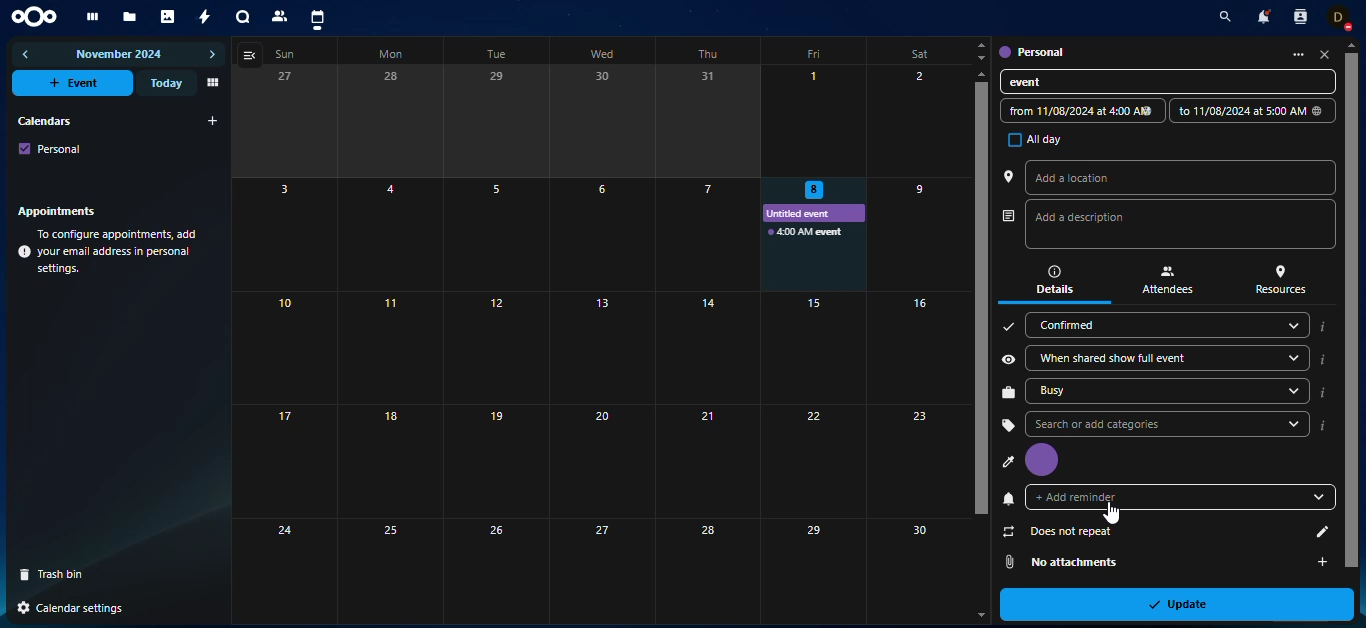 Image resolution: width=1366 pixels, height=628 pixels. Describe the element at coordinates (1029, 139) in the screenshot. I see `all day` at that location.